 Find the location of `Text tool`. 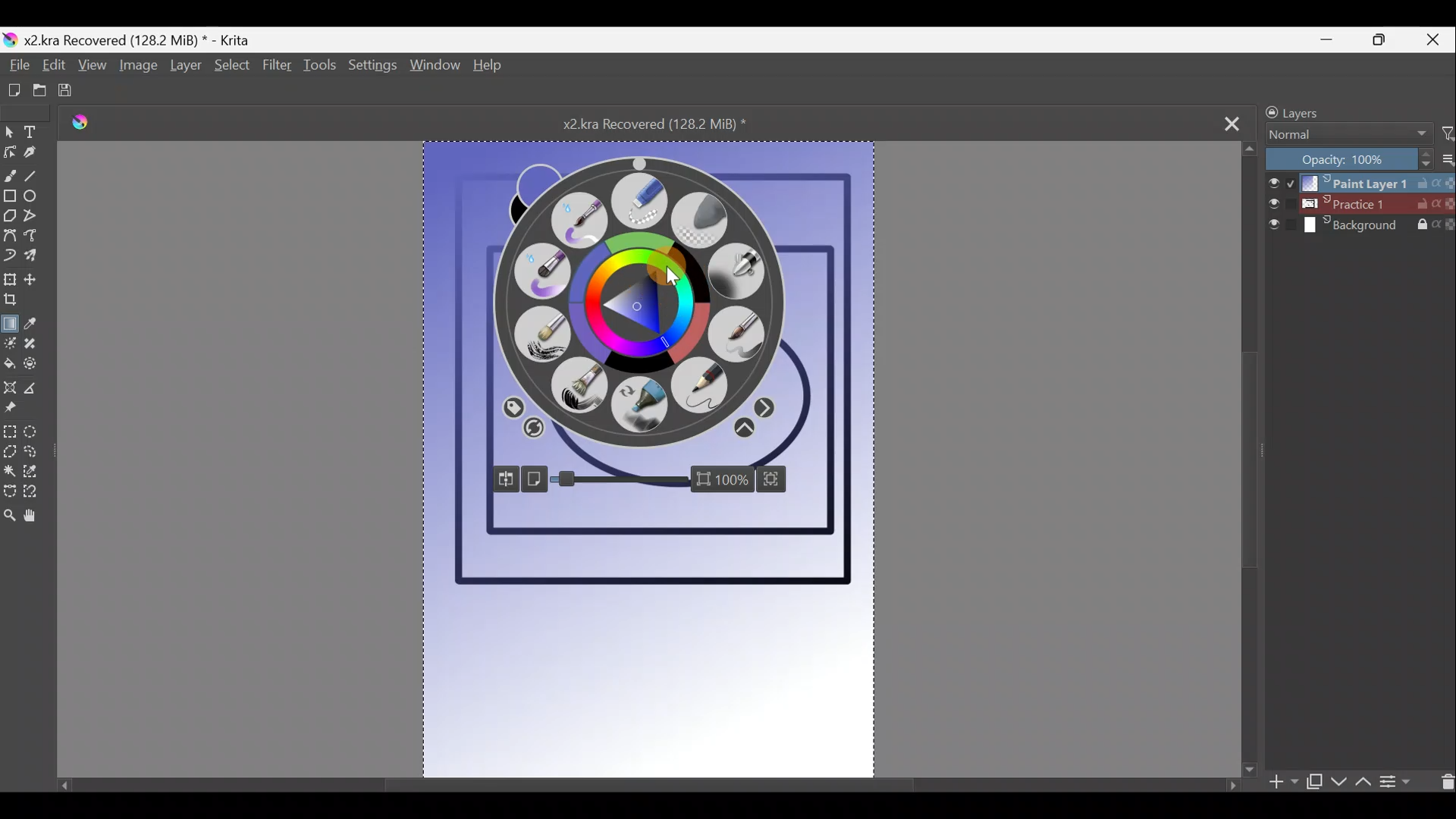

Text tool is located at coordinates (35, 132).